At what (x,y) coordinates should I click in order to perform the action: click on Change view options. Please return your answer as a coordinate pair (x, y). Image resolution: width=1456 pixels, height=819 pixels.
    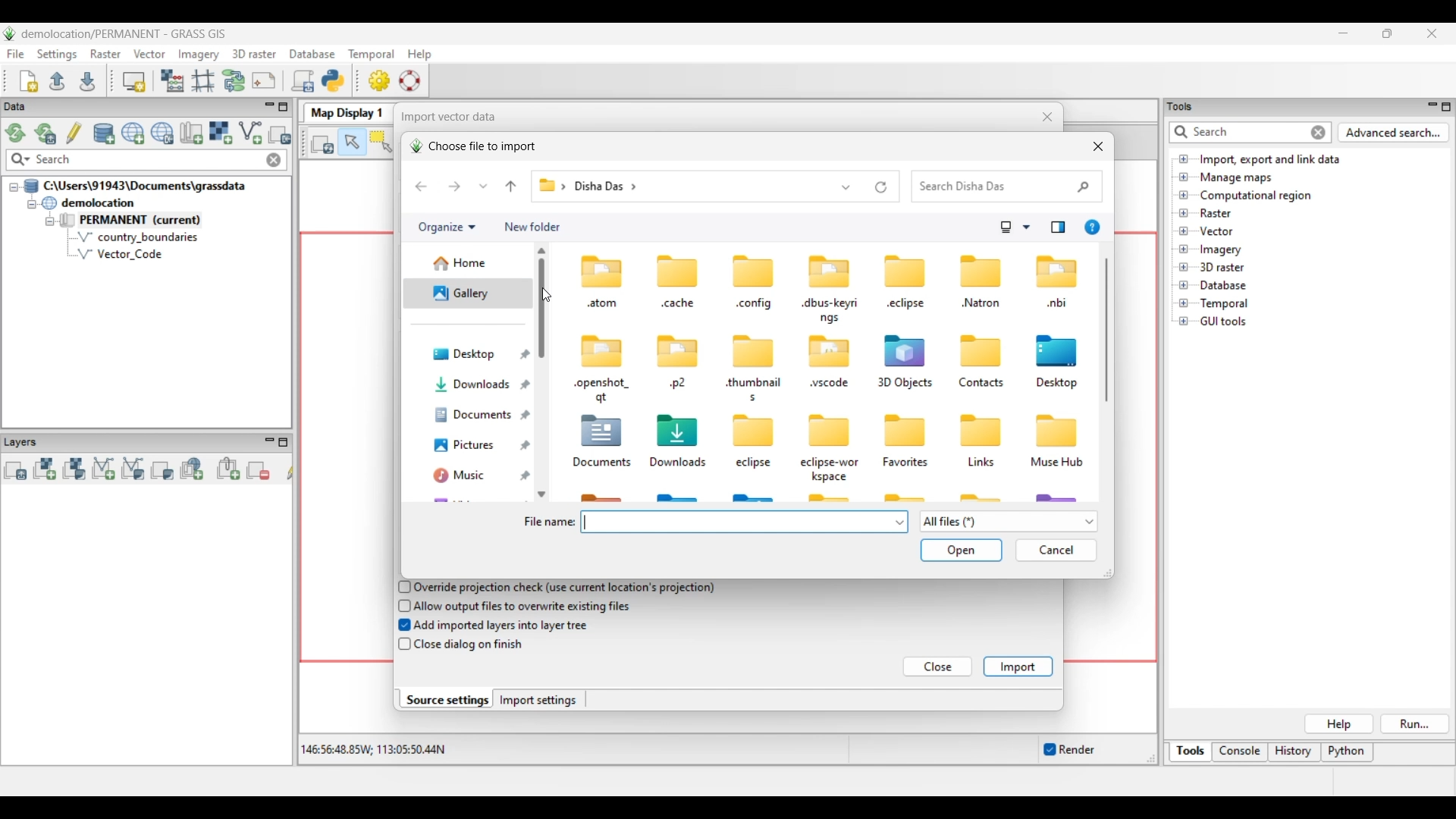
    Looking at the image, I should click on (1026, 227).